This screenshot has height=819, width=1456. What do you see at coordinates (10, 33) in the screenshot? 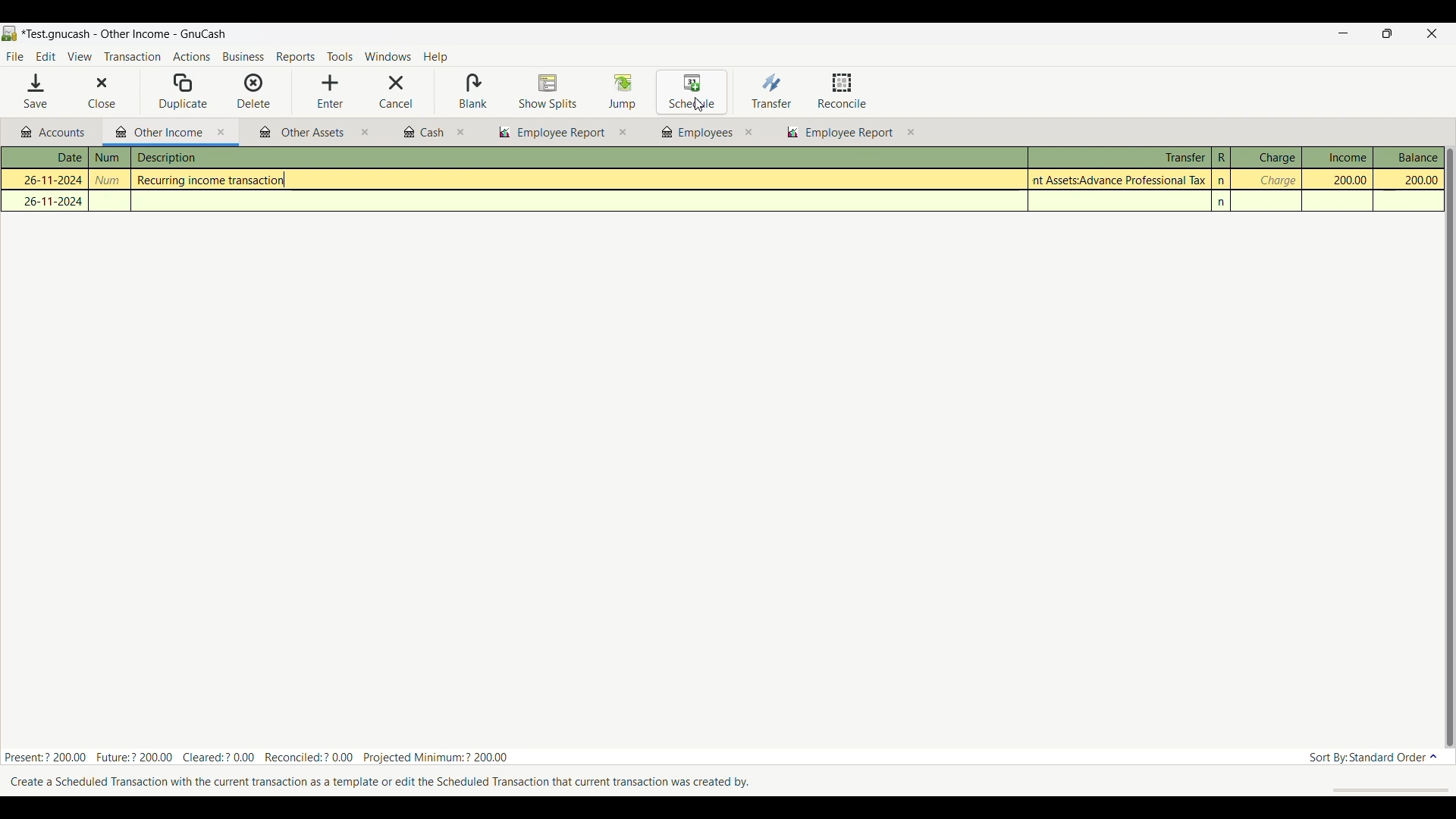
I see `Software logo` at bounding box center [10, 33].